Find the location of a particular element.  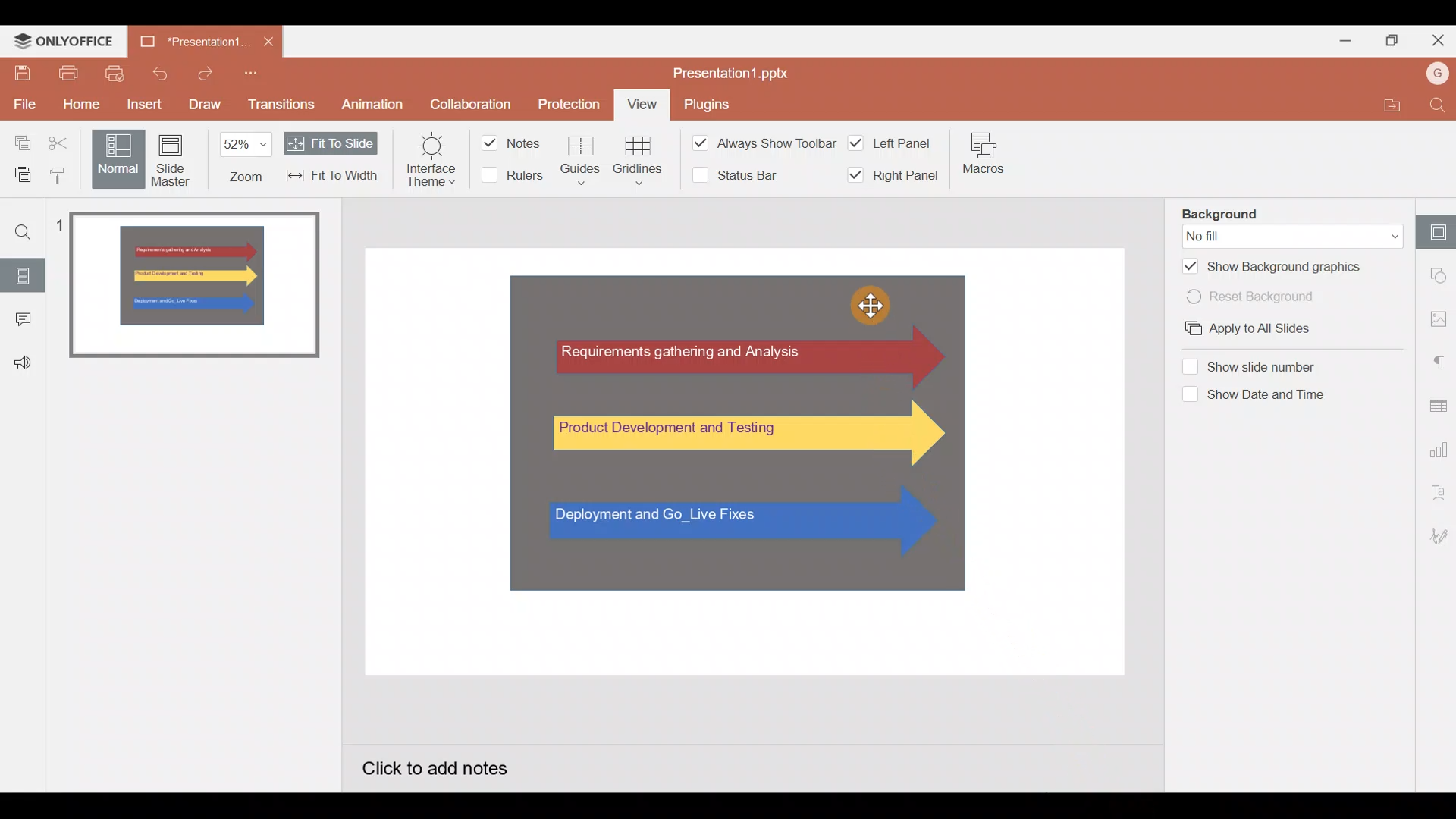

Always show toolbar is located at coordinates (751, 142).